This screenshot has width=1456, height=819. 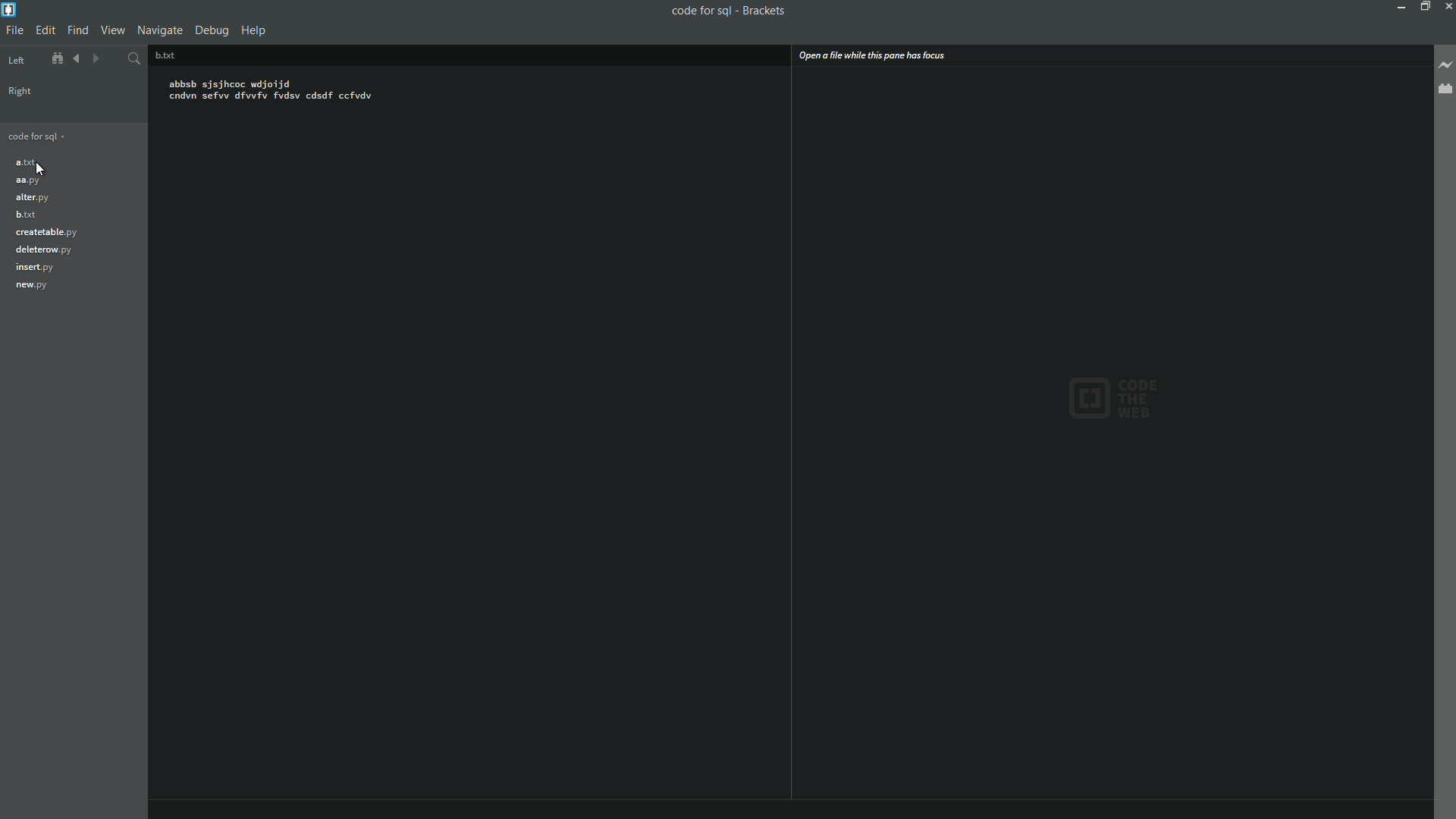 I want to click on vertical split, so click(x=1112, y=439).